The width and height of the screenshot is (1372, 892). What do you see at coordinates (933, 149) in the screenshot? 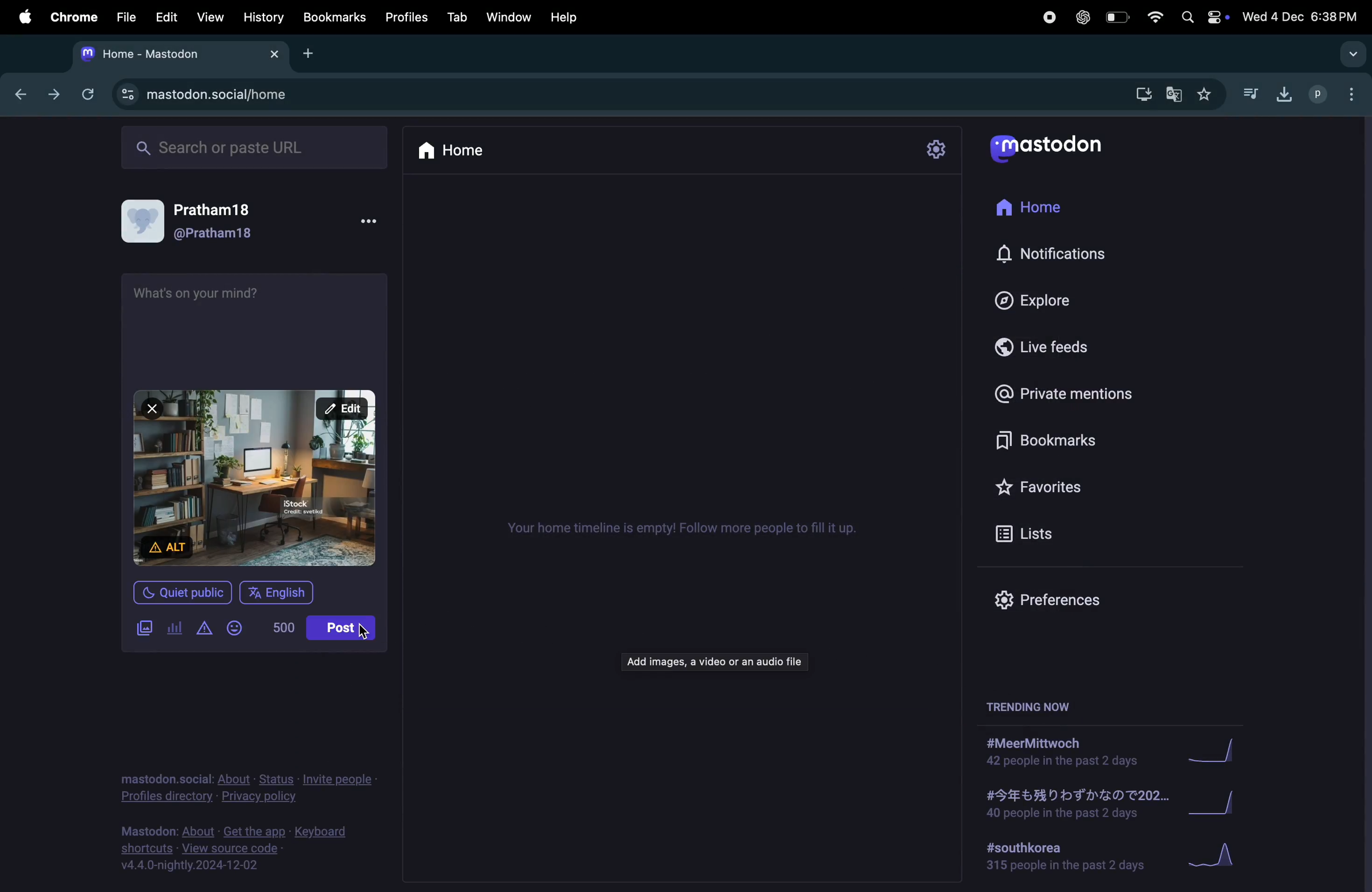
I see `settings` at bounding box center [933, 149].